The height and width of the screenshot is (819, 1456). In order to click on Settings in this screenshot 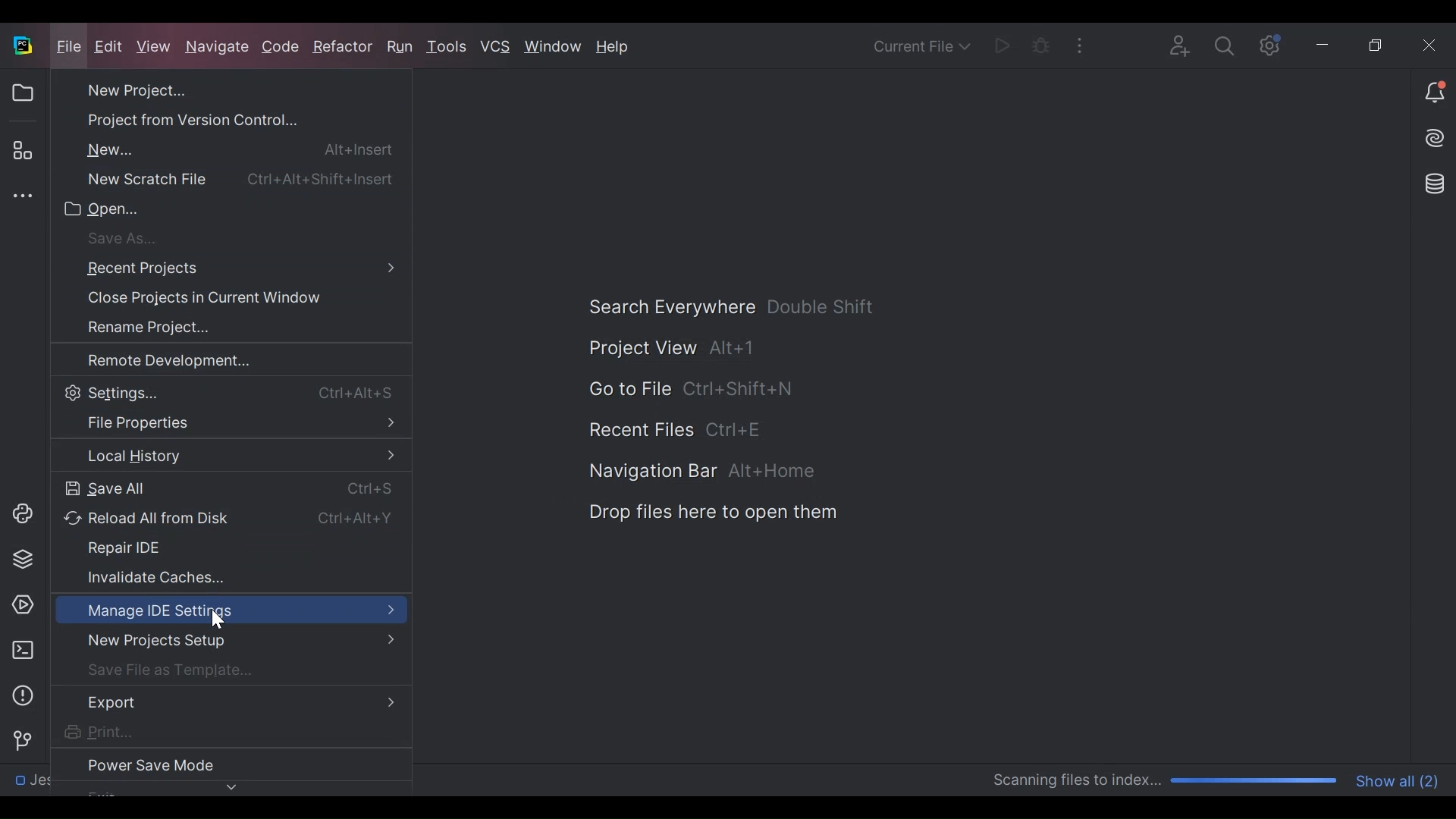, I will do `click(1224, 45)`.